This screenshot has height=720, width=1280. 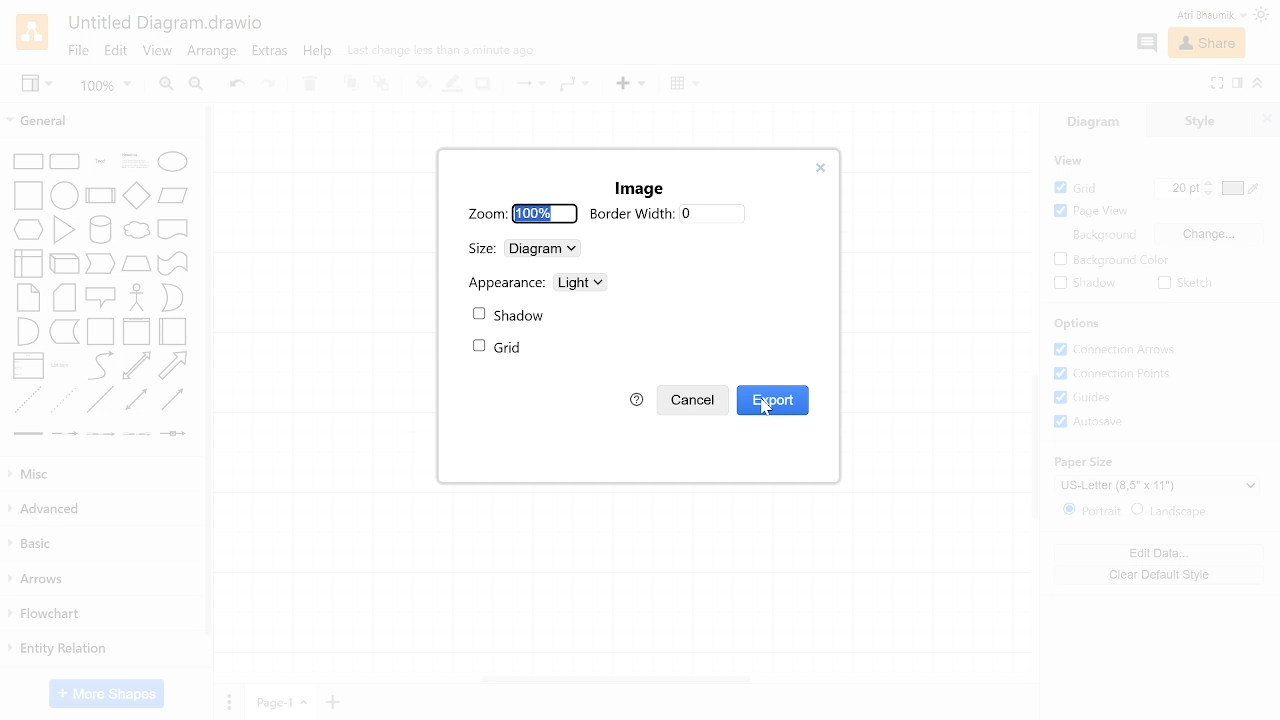 I want to click on Shadow, so click(x=1084, y=283).